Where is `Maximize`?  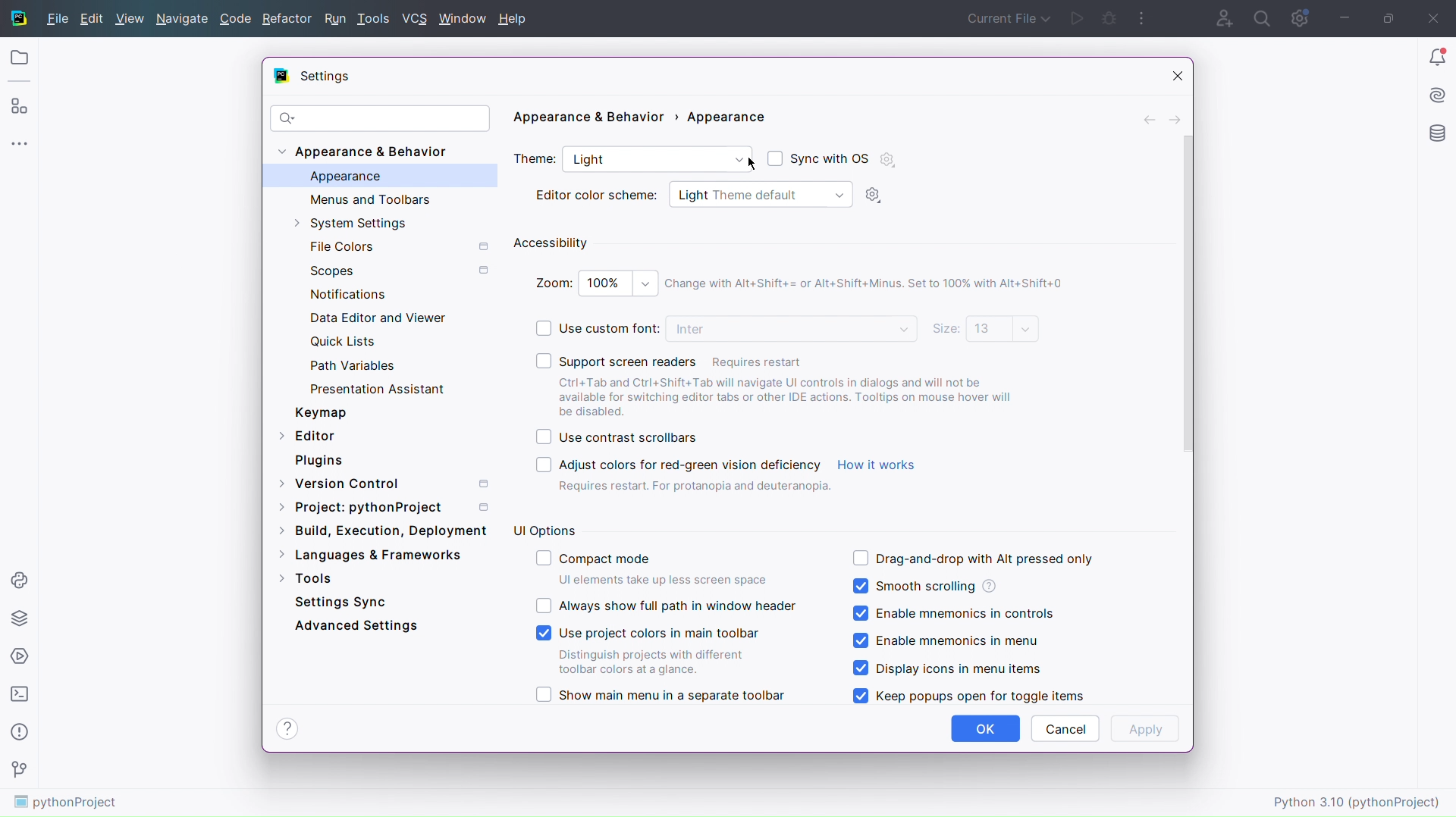 Maximize is located at coordinates (1388, 17).